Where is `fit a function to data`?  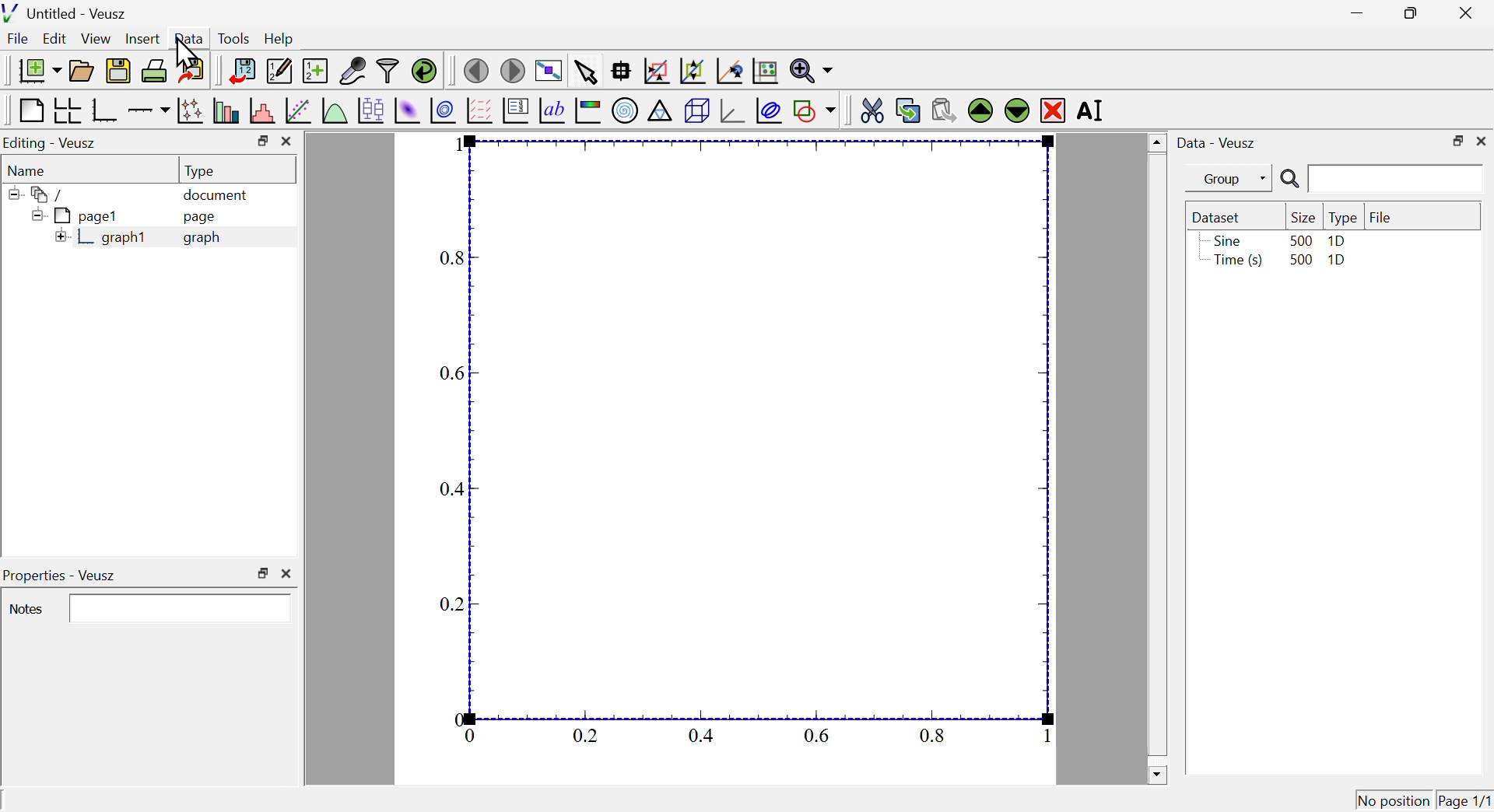
fit a function to data is located at coordinates (297, 111).